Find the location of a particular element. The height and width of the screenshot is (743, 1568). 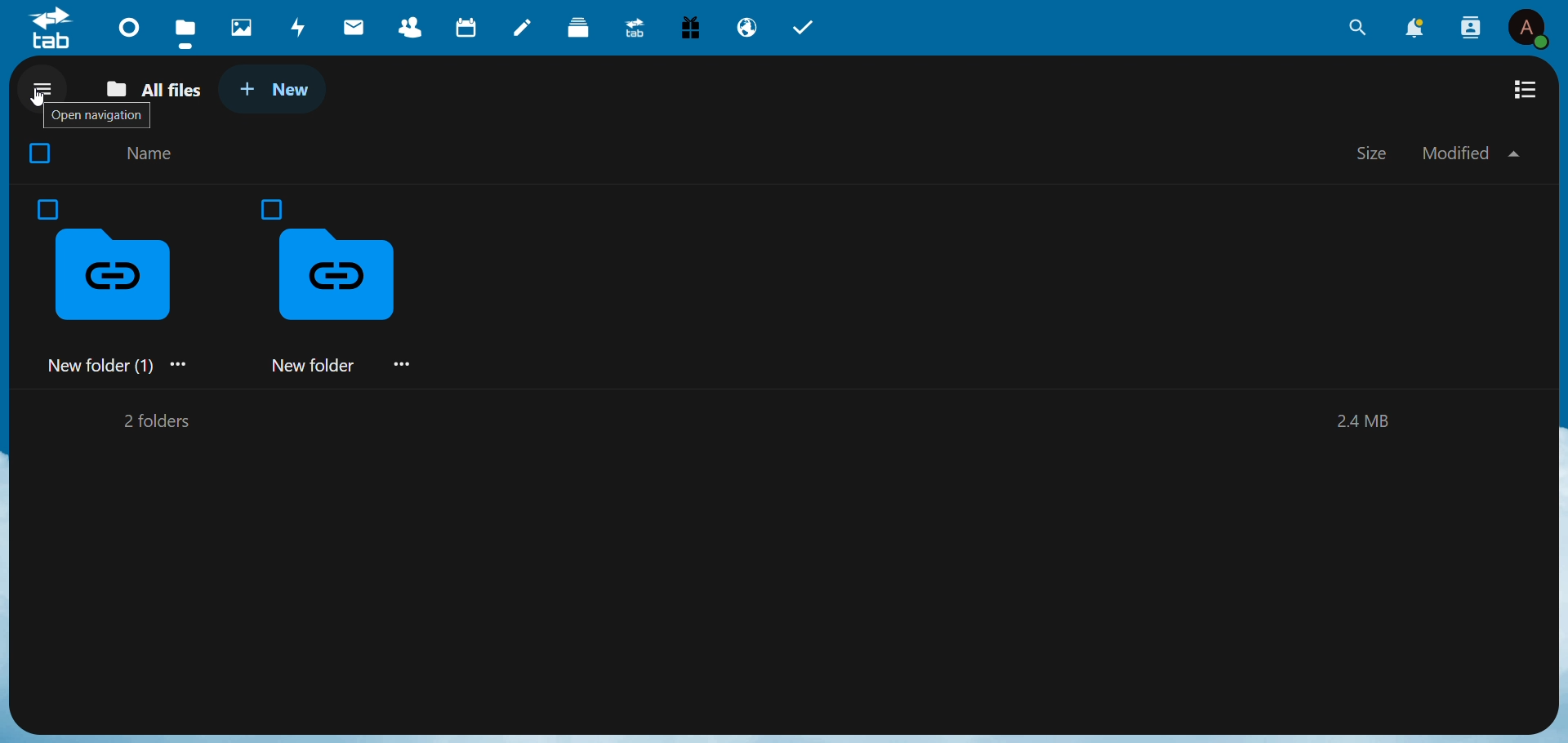

email is located at coordinates (746, 29).